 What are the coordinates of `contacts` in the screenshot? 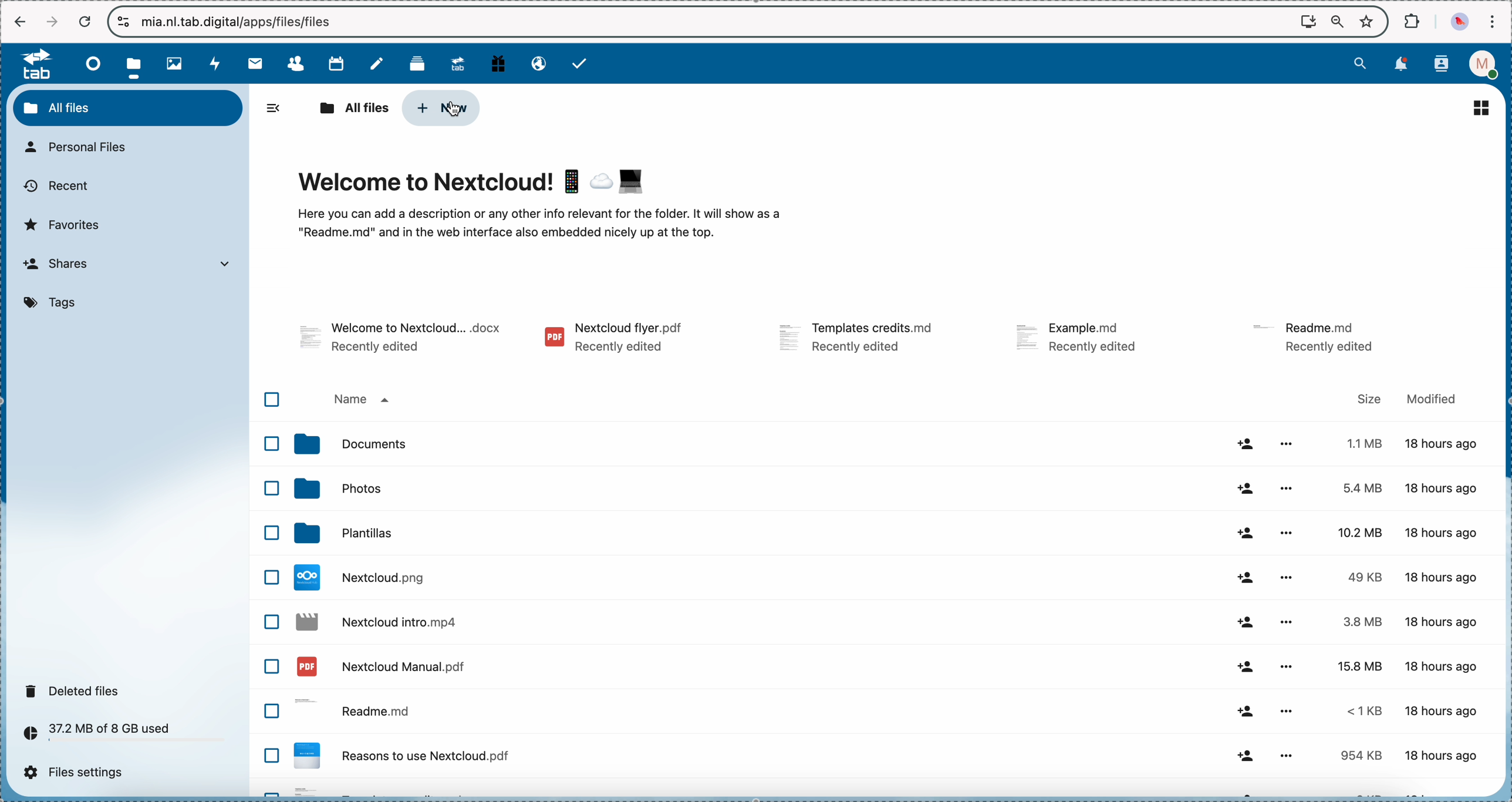 It's located at (1442, 65).